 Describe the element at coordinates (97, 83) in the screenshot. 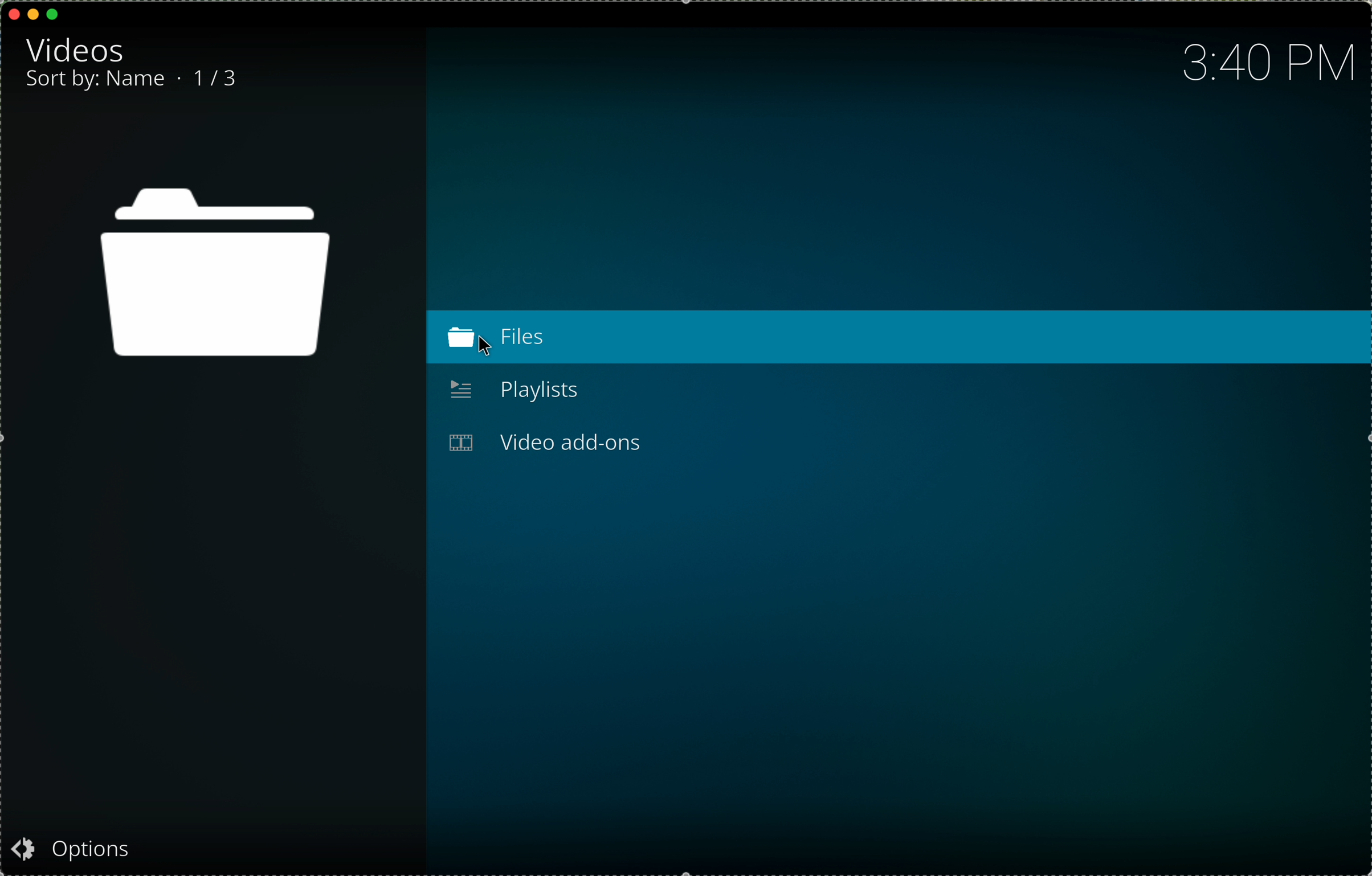

I see `sort by: name` at that location.